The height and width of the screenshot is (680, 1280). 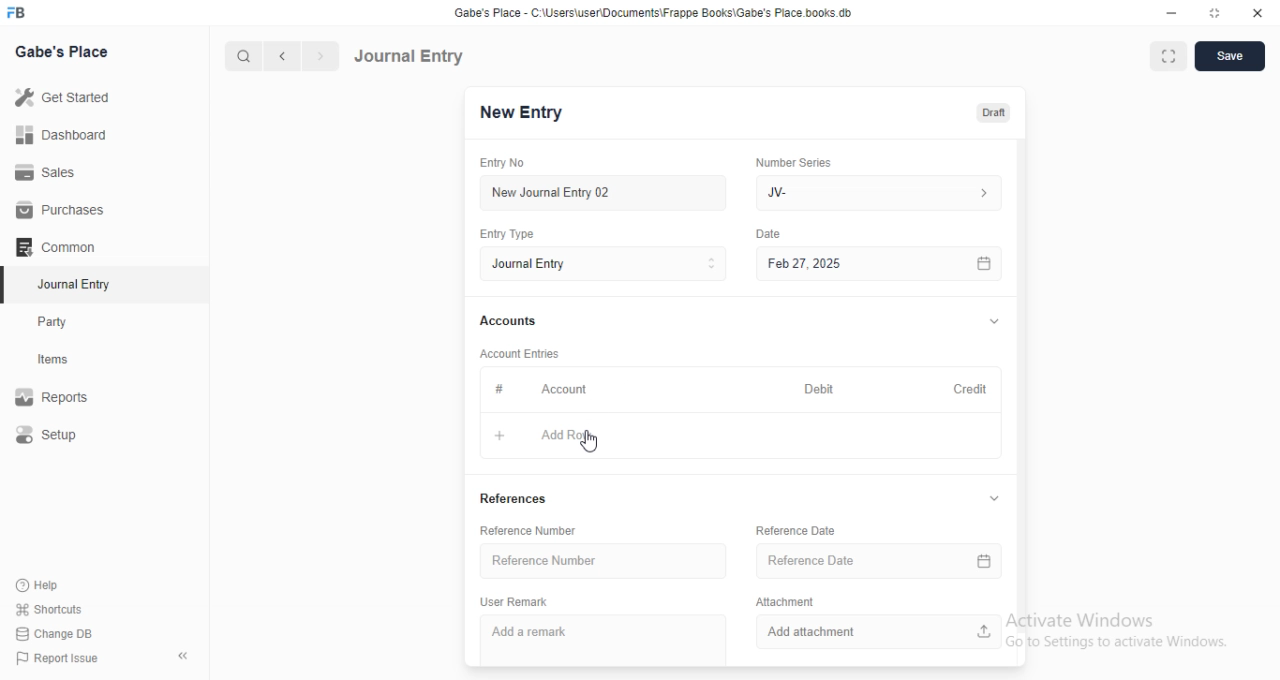 What do you see at coordinates (63, 51) in the screenshot?
I see `Gabe's Place` at bounding box center [63, 51].